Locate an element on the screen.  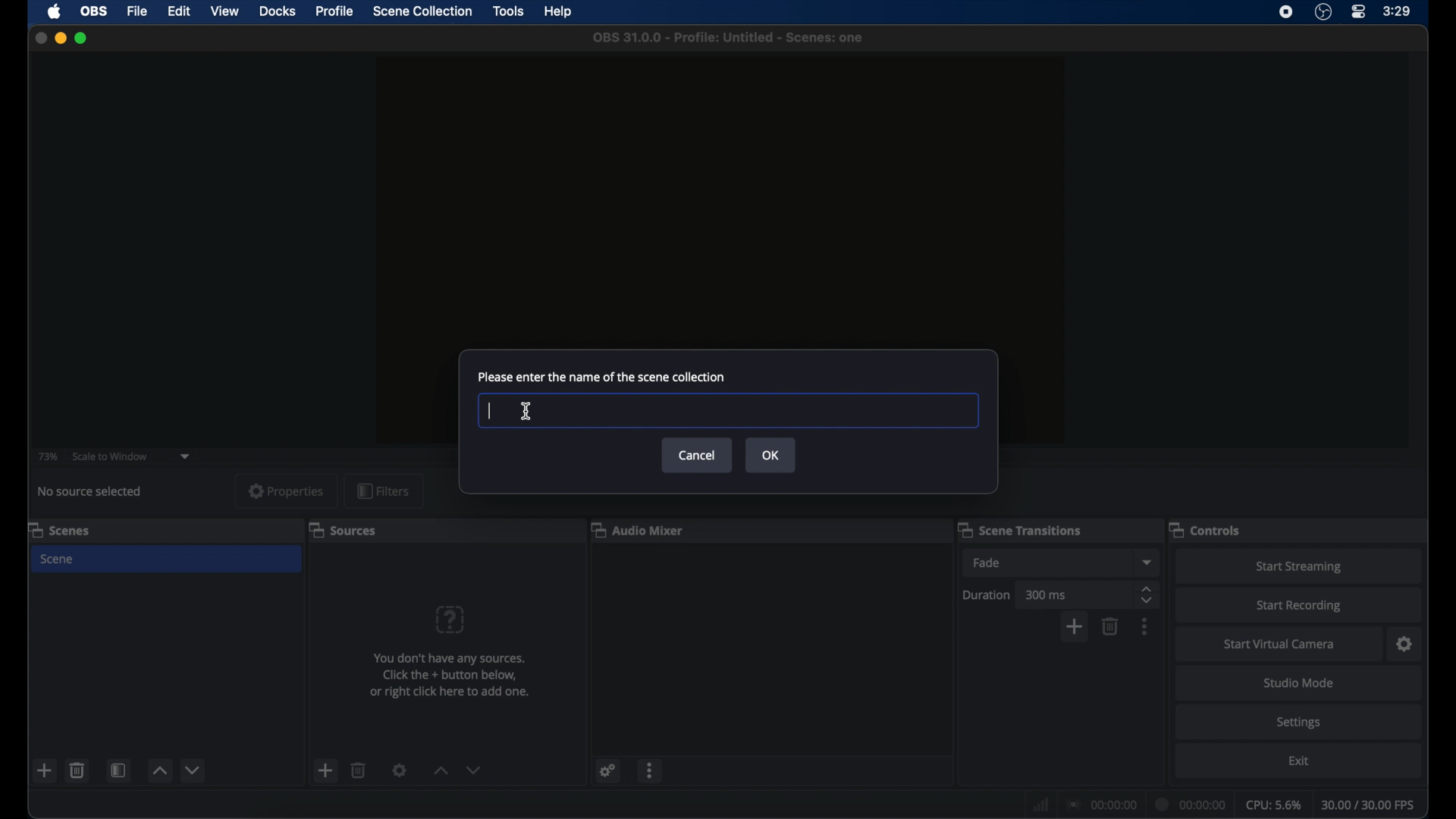
connection is located at coordinates (1100, 804).